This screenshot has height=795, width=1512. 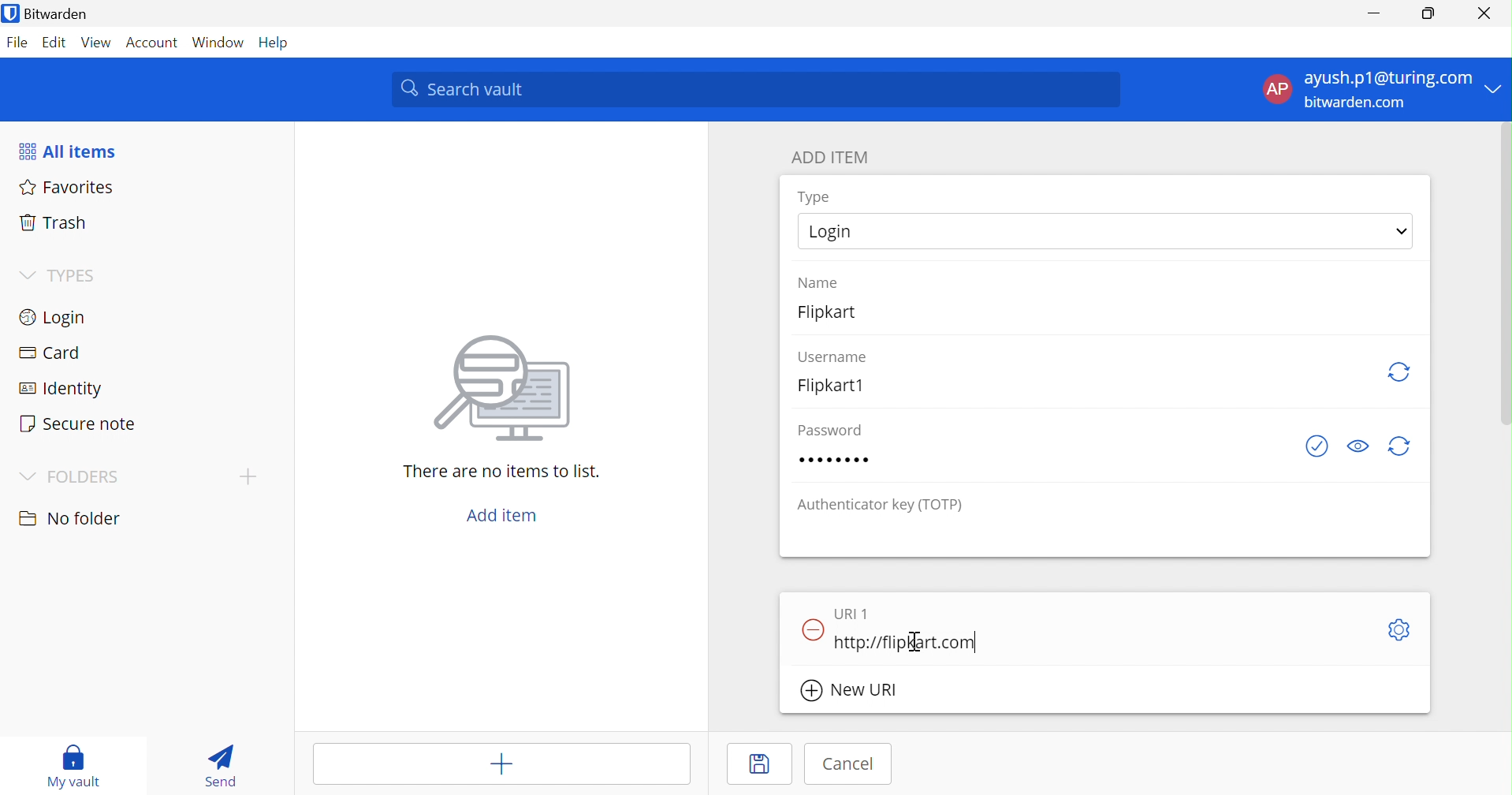 What do you see at coordinates (757, 767) in the screenshot?
I see `Save` at bounding box center [757, 767].